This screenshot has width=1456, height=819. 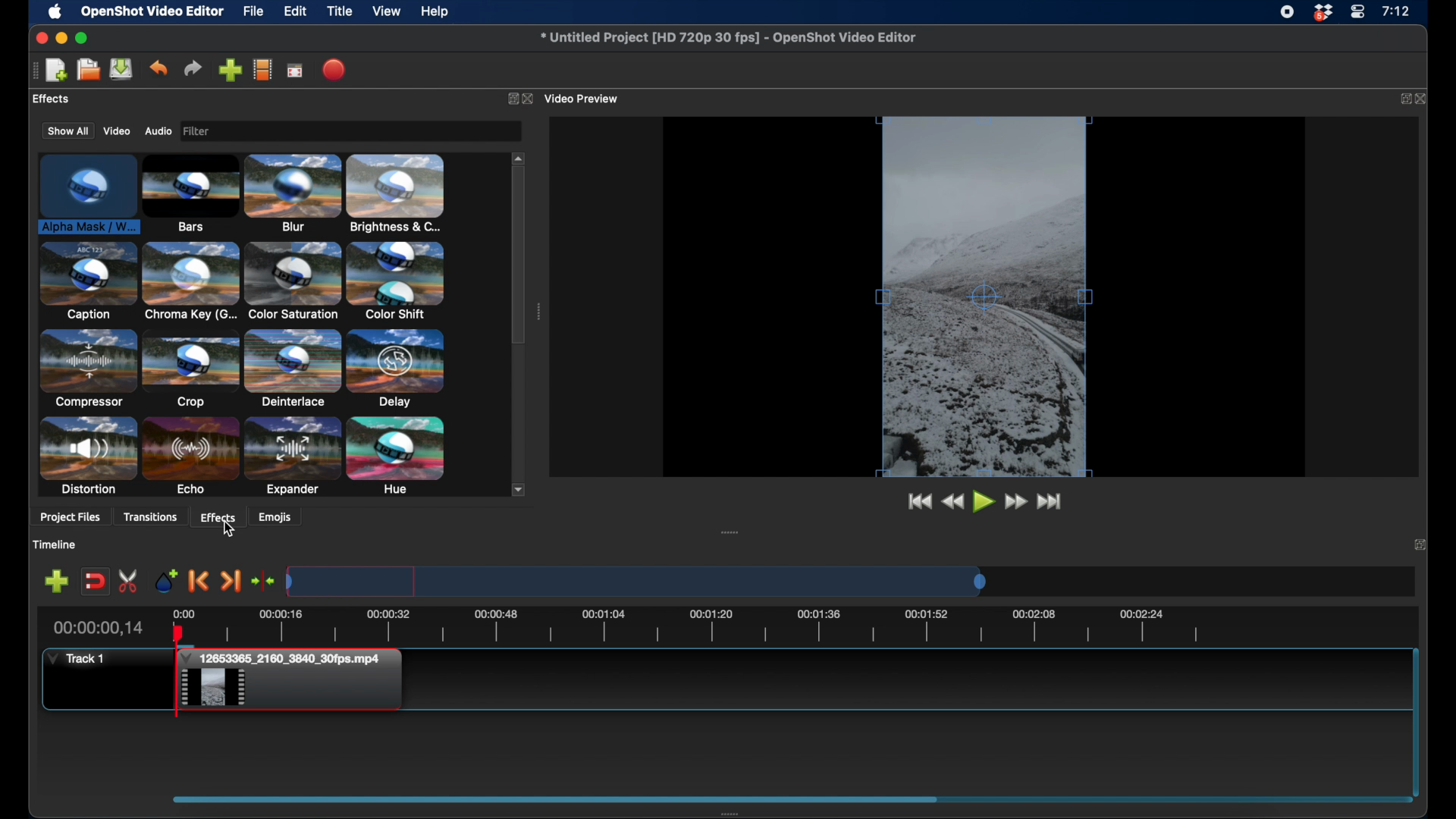 What do you see at coordinates (56, 71) in the screenshot?
I see `new project` at bounding box center [56, 71].